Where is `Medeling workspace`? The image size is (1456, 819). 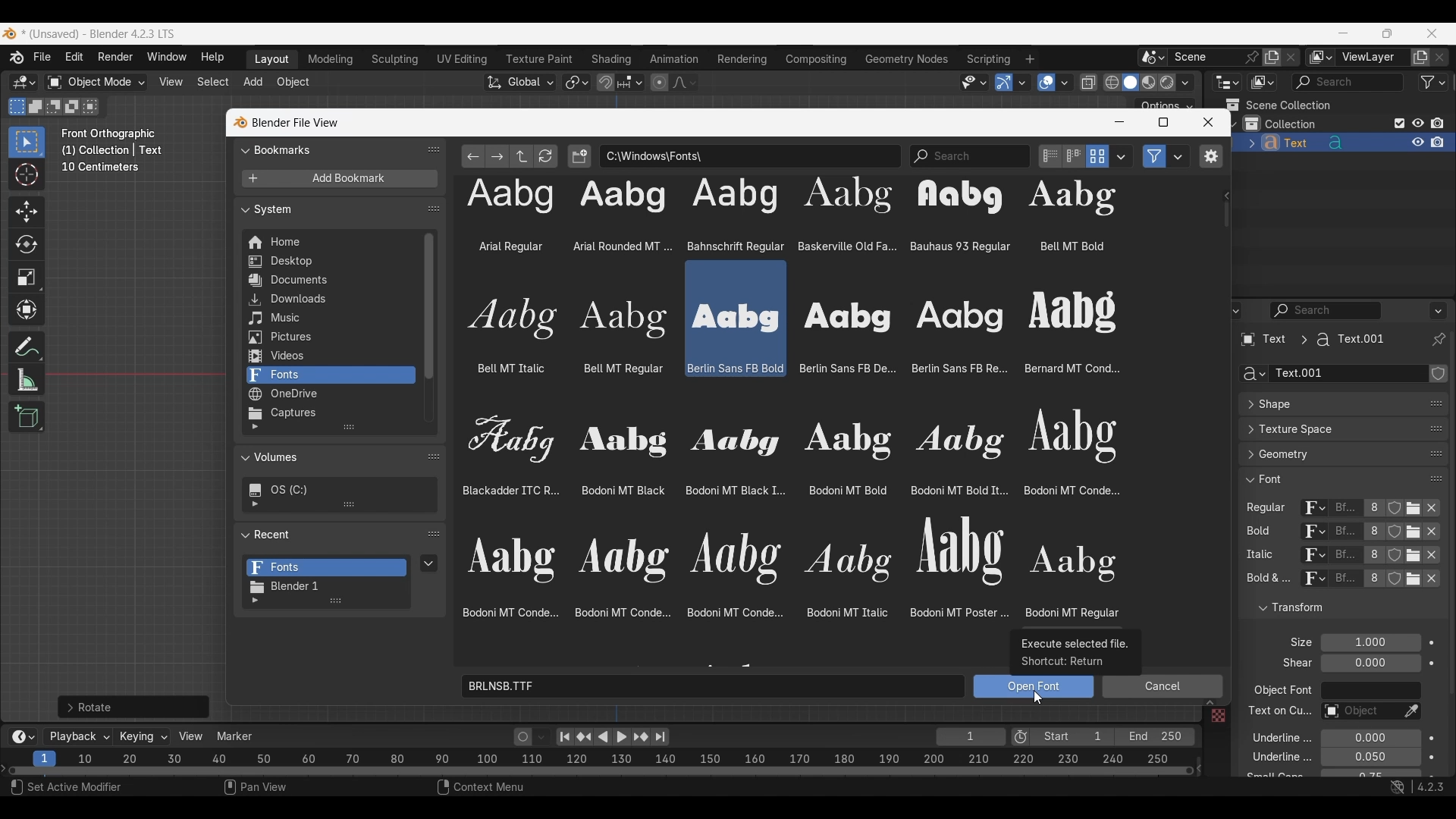
Medeling workspace is located at coordinates (331, 60).